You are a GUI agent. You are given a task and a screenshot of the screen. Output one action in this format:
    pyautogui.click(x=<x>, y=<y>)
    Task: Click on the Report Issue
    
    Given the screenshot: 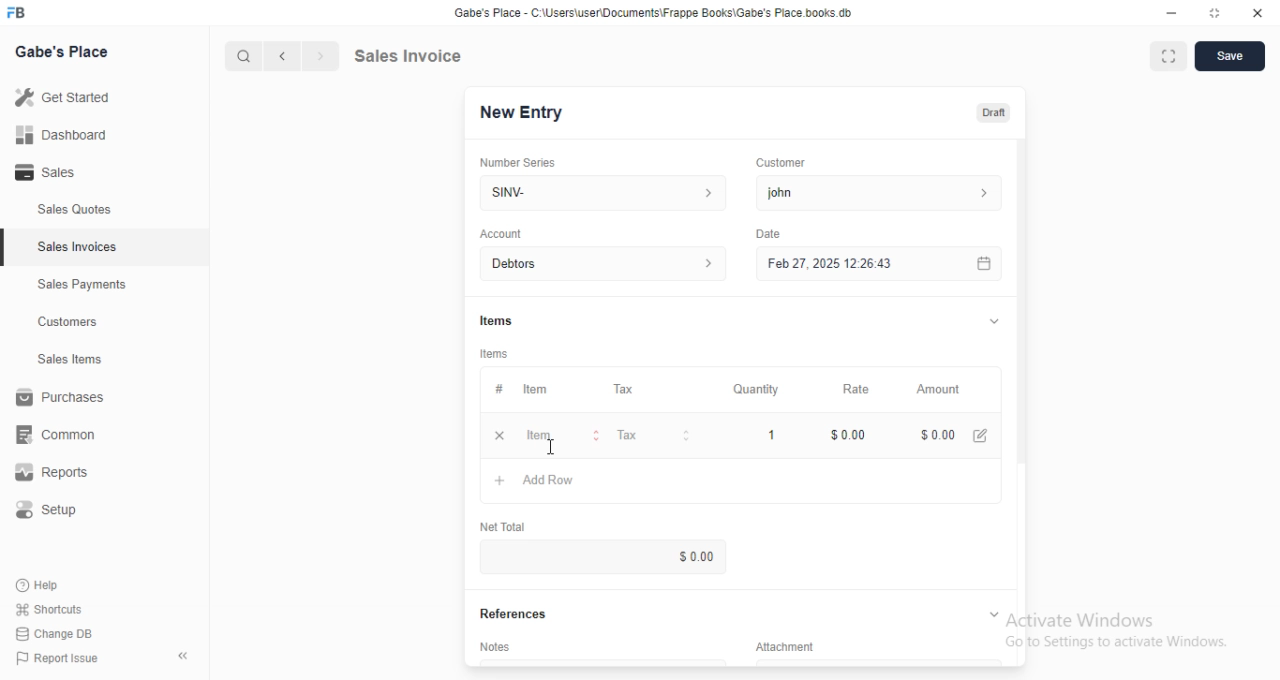 What is the action you would take?
    pyautogui.click(x=61, y=660)
    